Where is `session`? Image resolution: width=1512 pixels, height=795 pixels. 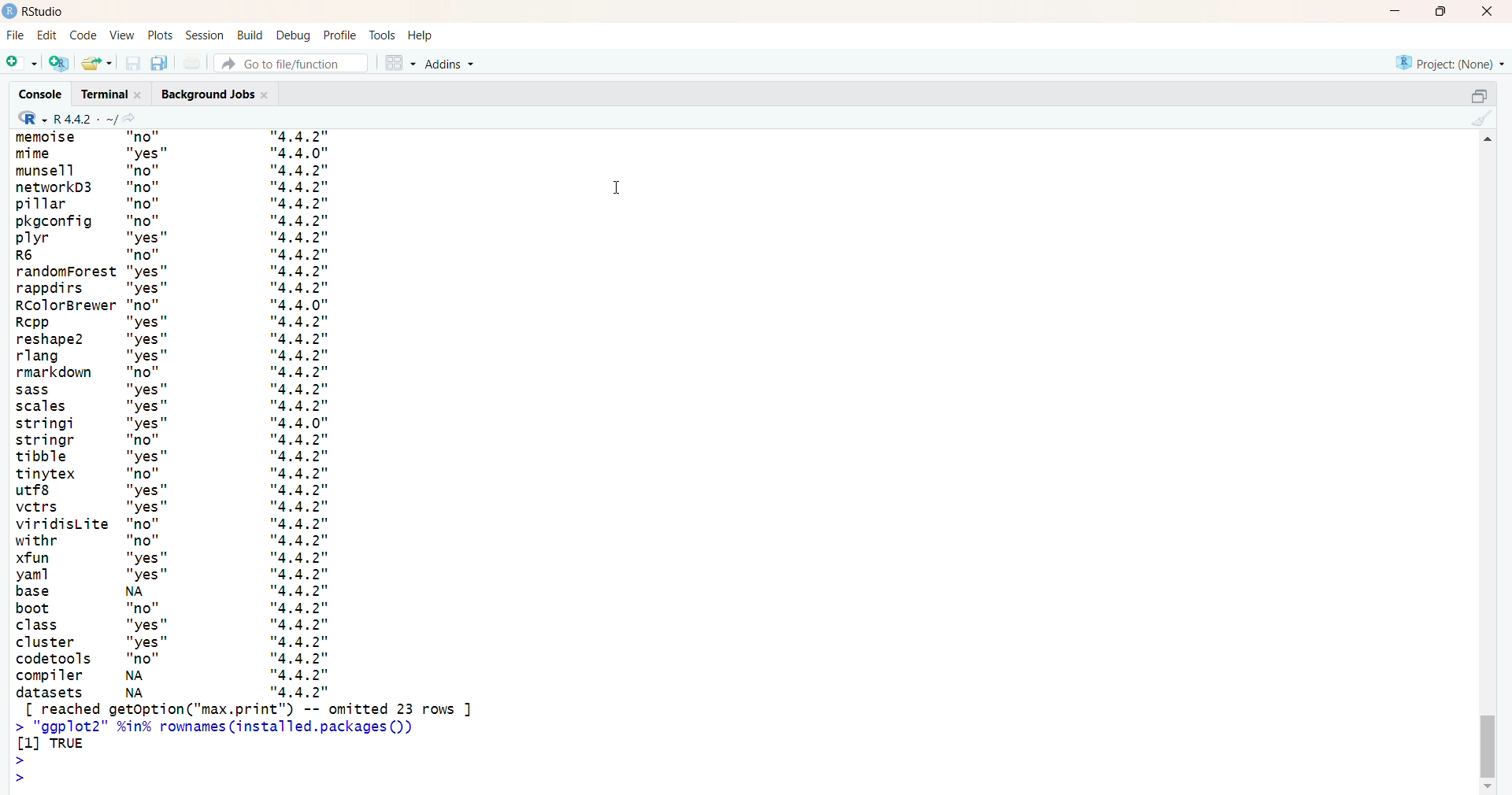 session is located at coordinates (205, 35).